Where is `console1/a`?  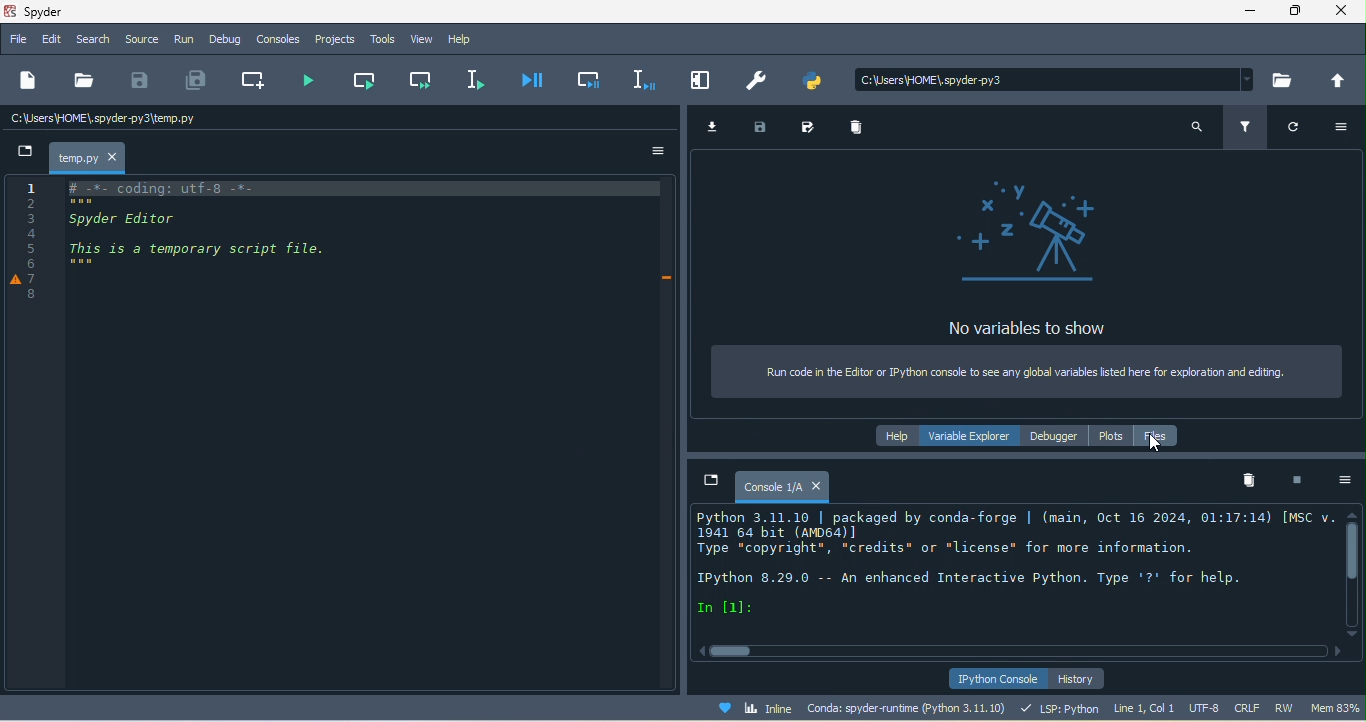 console1/a is located at coordinates (767, 483).